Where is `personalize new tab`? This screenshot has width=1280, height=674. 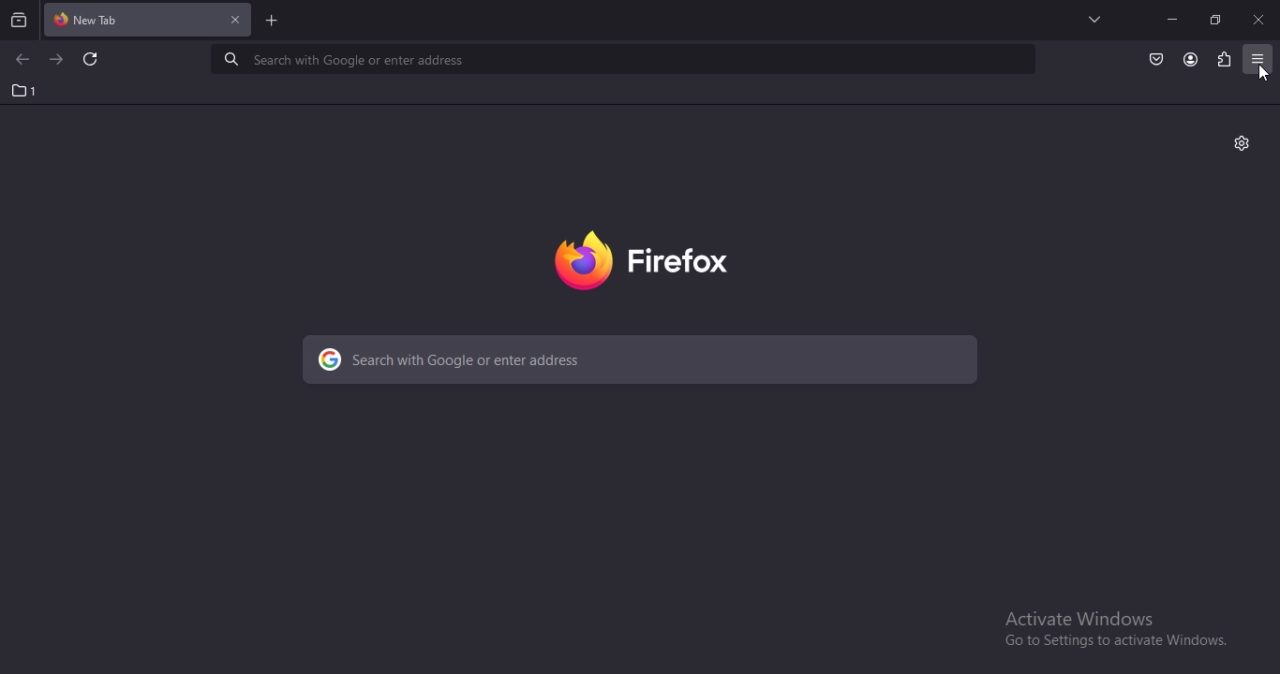
personalize new tab is located at coordinates (1241, 142).